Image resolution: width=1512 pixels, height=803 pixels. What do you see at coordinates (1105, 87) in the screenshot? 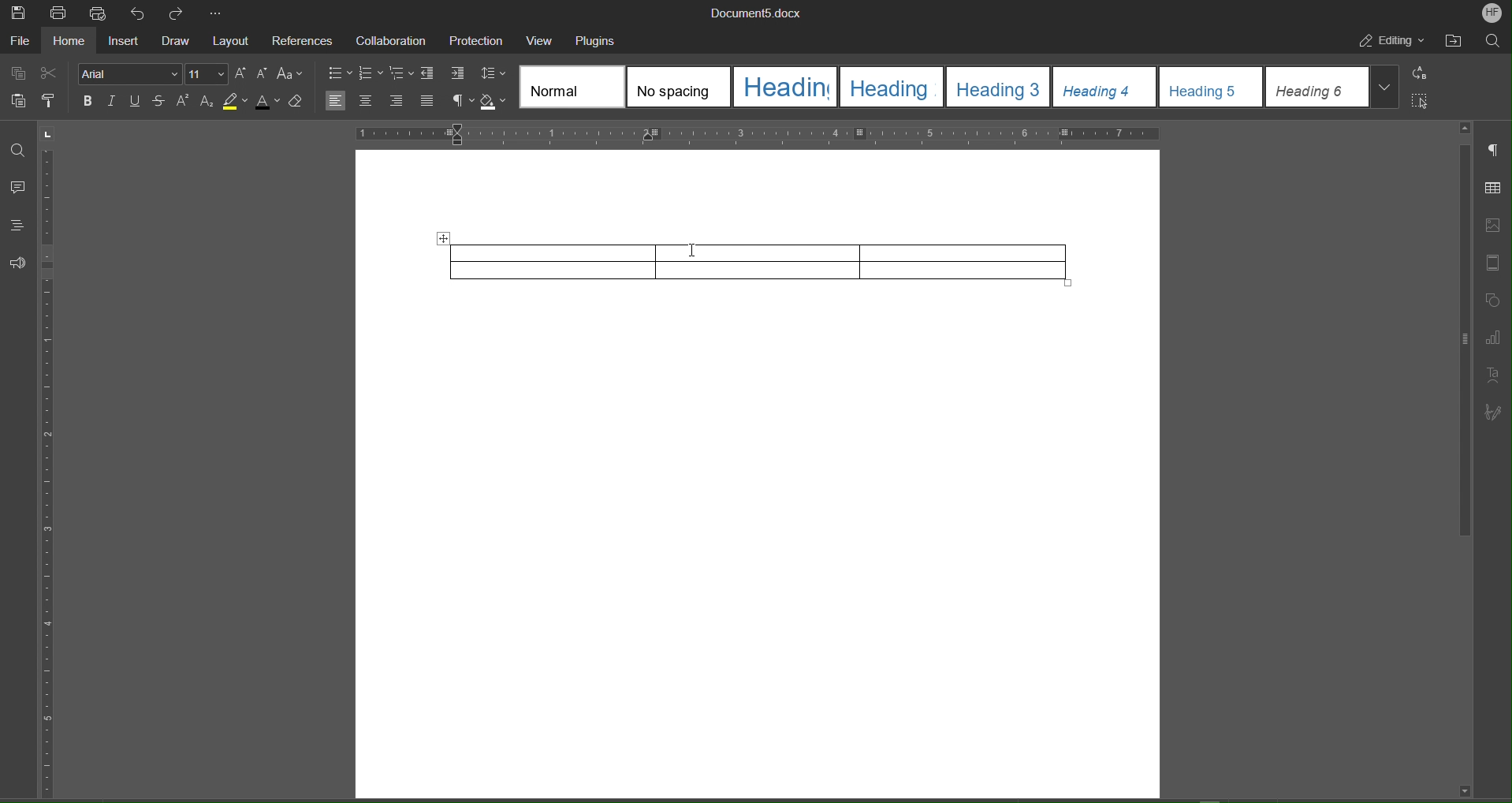
I see `heading 4` at bounding box center [1105, 87].